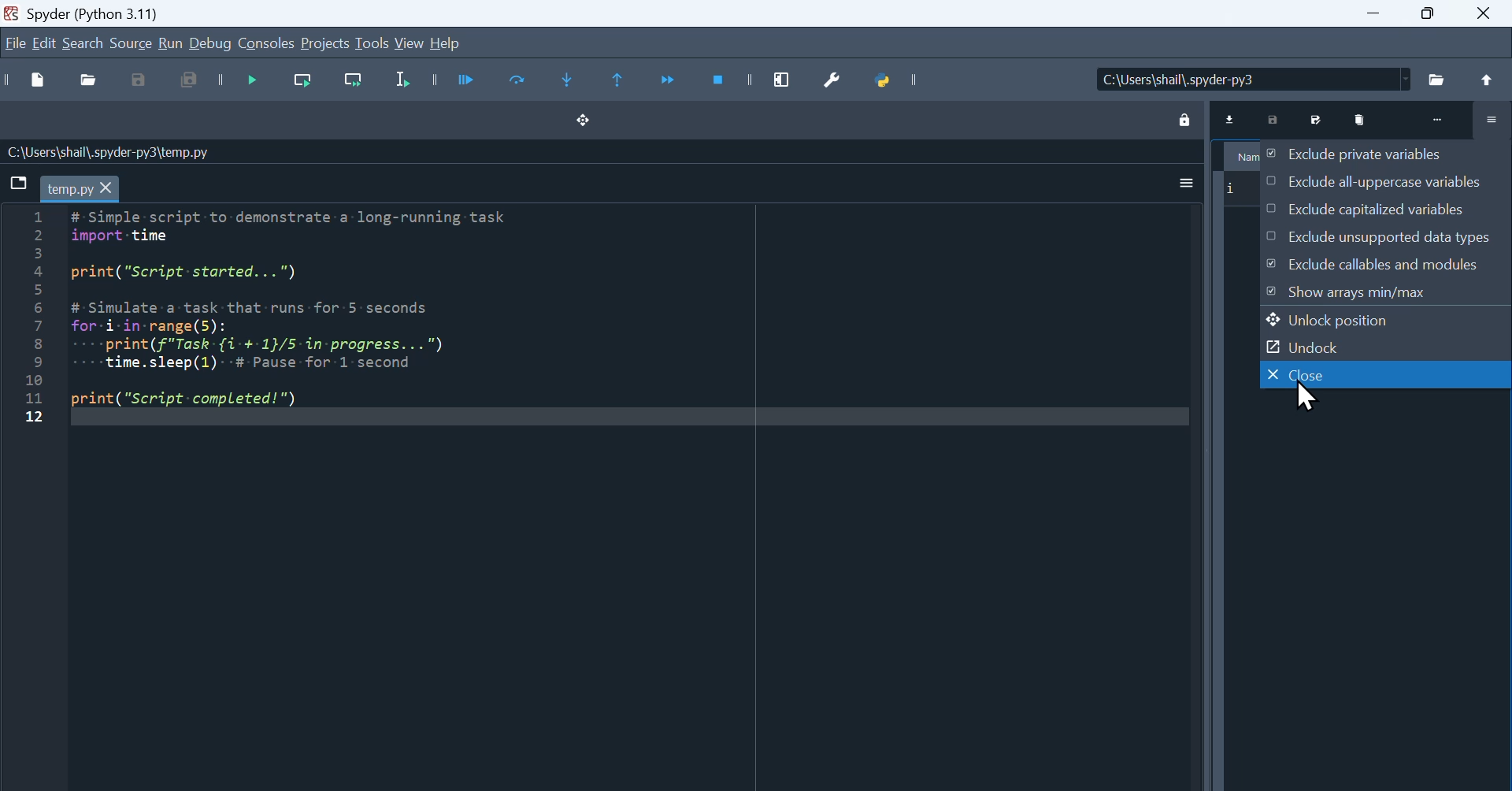 This screenshot has width=1512, height=791. Describe the element at coordinates (209, 42) in the screenshot. I see `Debug` at that location.